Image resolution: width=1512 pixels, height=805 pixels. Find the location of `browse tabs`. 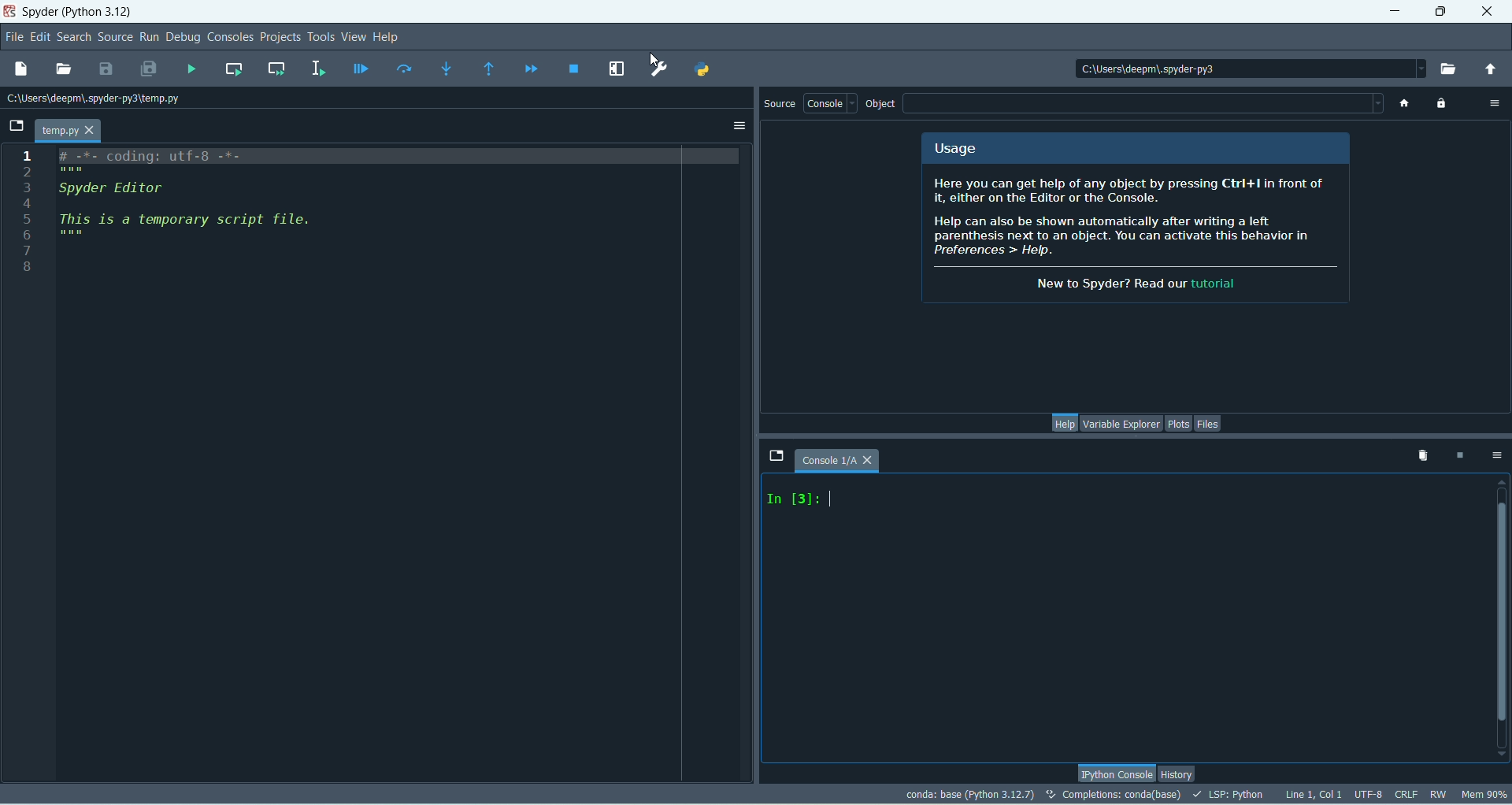

browse tabs is located at coordinates (16, 126).